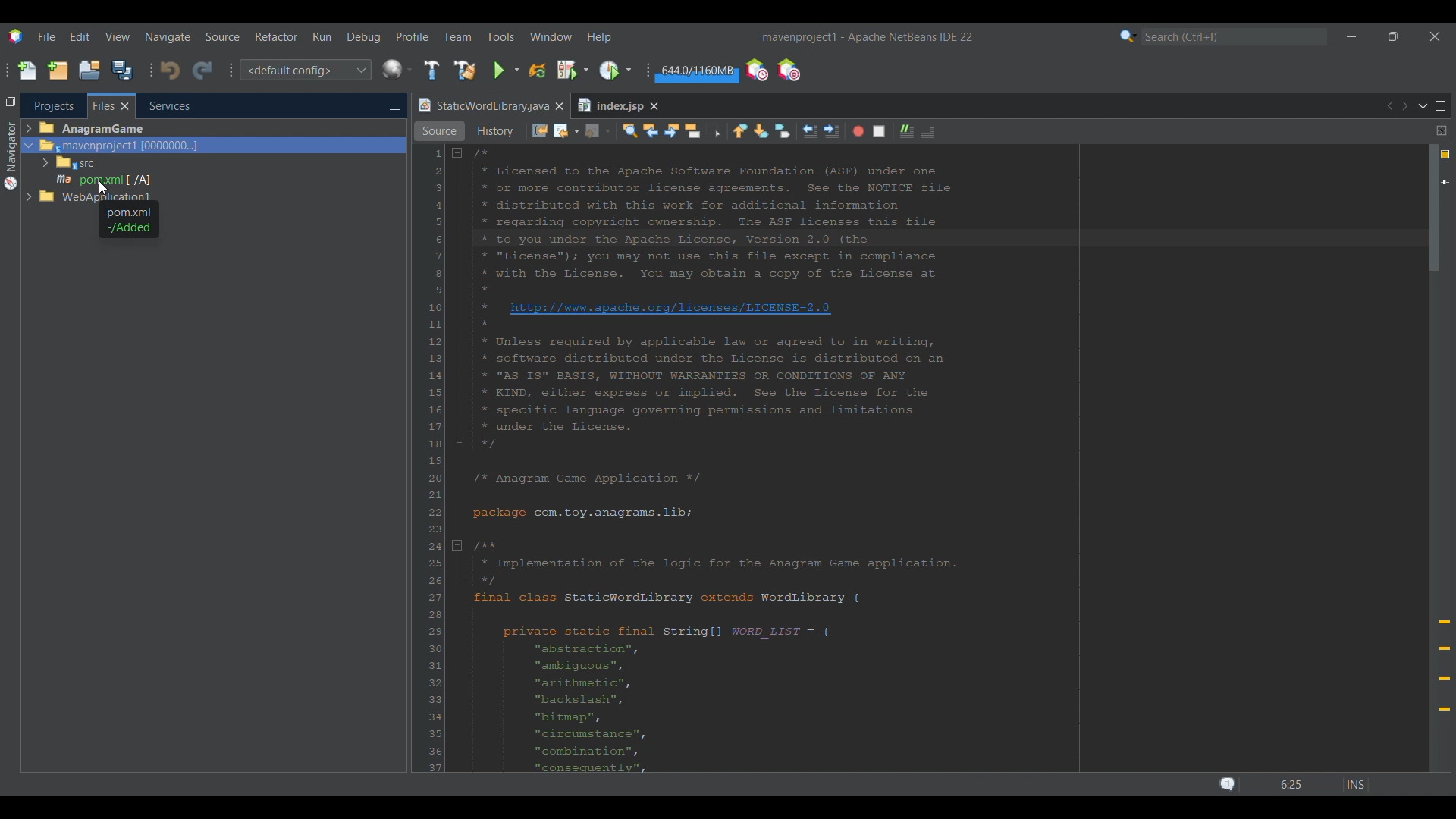 The image size is (1456, 819). What do you see at coordinates (275, 36) in the screenshot?
I see `Refactor menu` at bounding box center [275, 36].